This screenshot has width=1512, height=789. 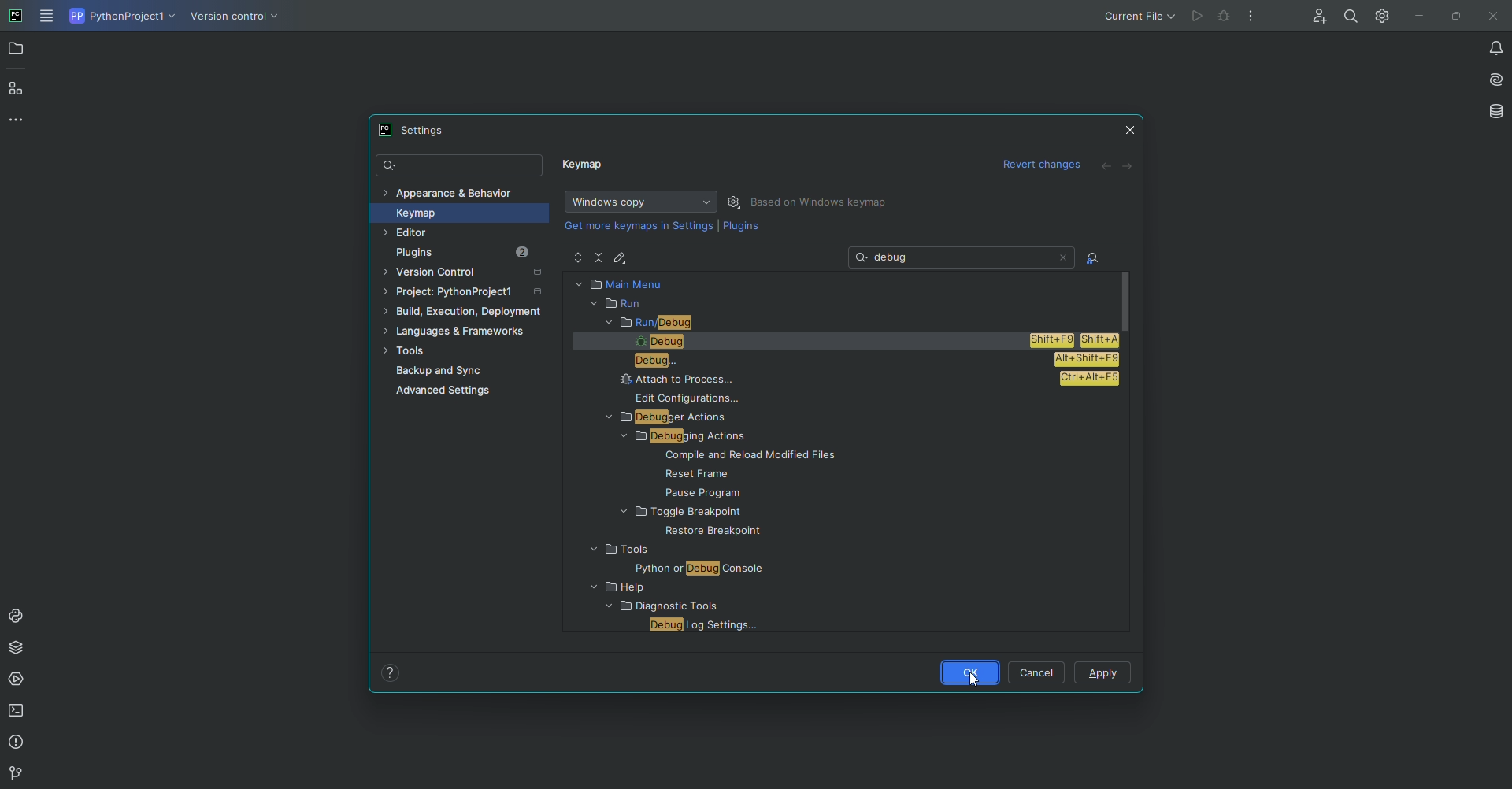 I want to click on Cursor, so click(x=975, y=675).